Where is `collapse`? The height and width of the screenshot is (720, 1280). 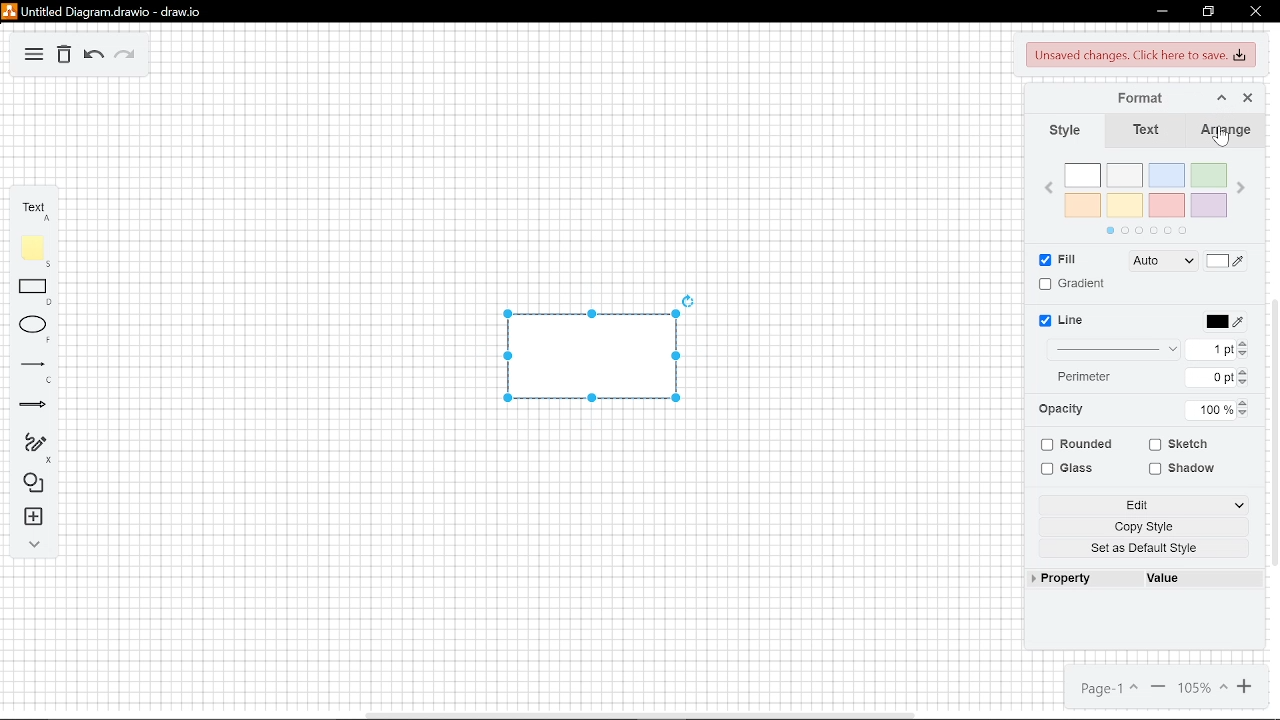 collapse is located at coordinates (34, 544).